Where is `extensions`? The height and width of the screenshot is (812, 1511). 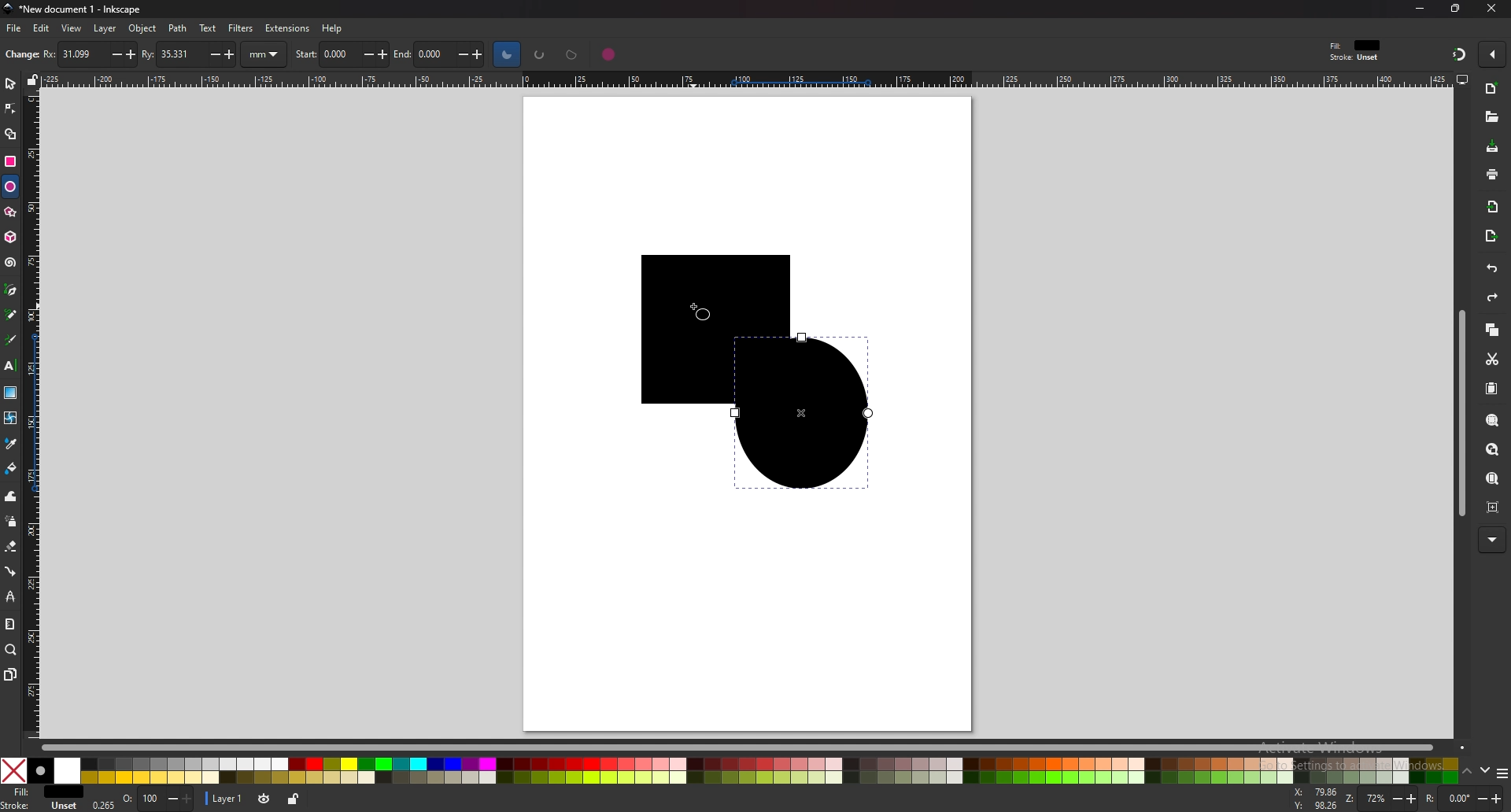
extensions is located at coordinates (286, 28).